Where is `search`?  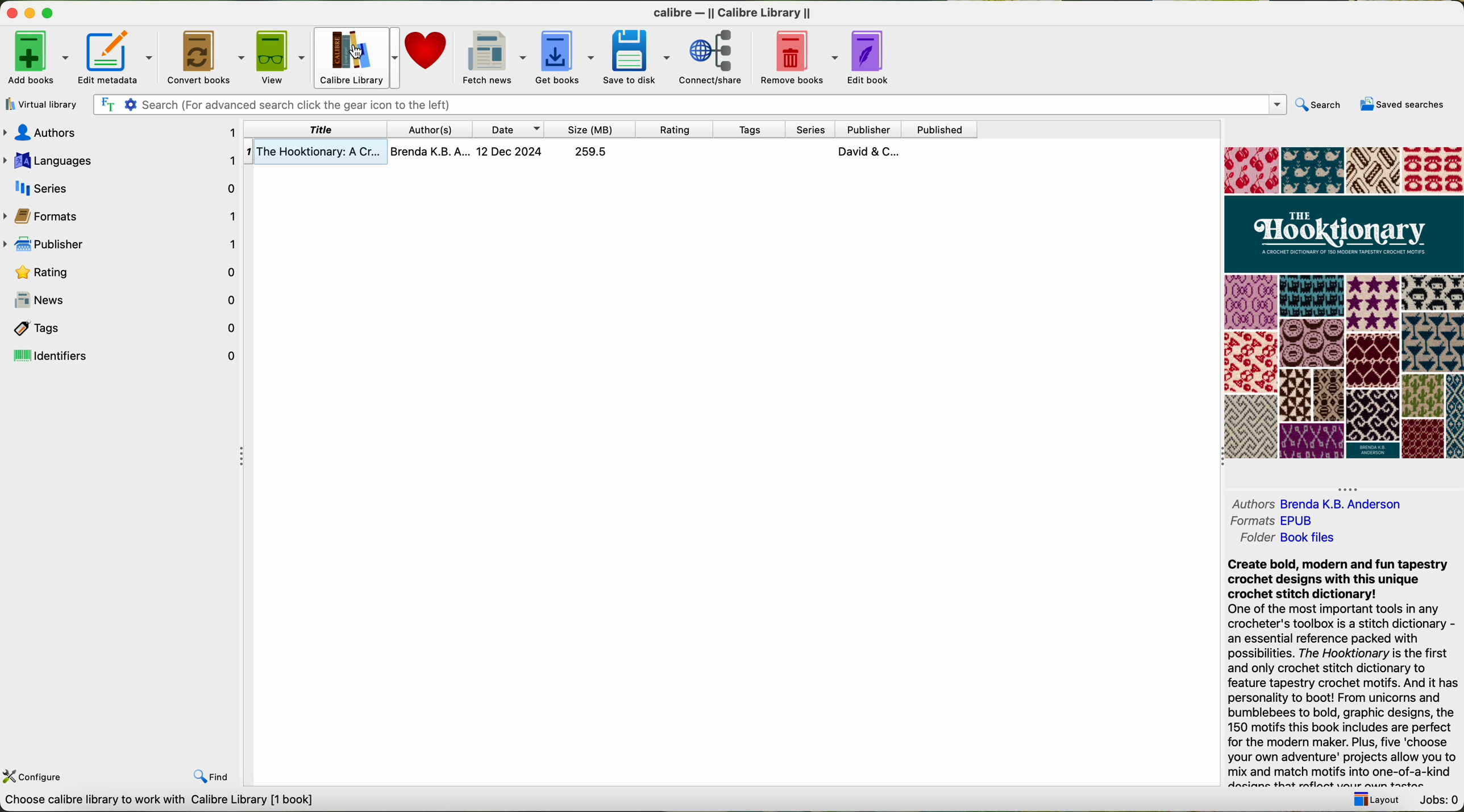
search is located at coordinates (1321, 105).